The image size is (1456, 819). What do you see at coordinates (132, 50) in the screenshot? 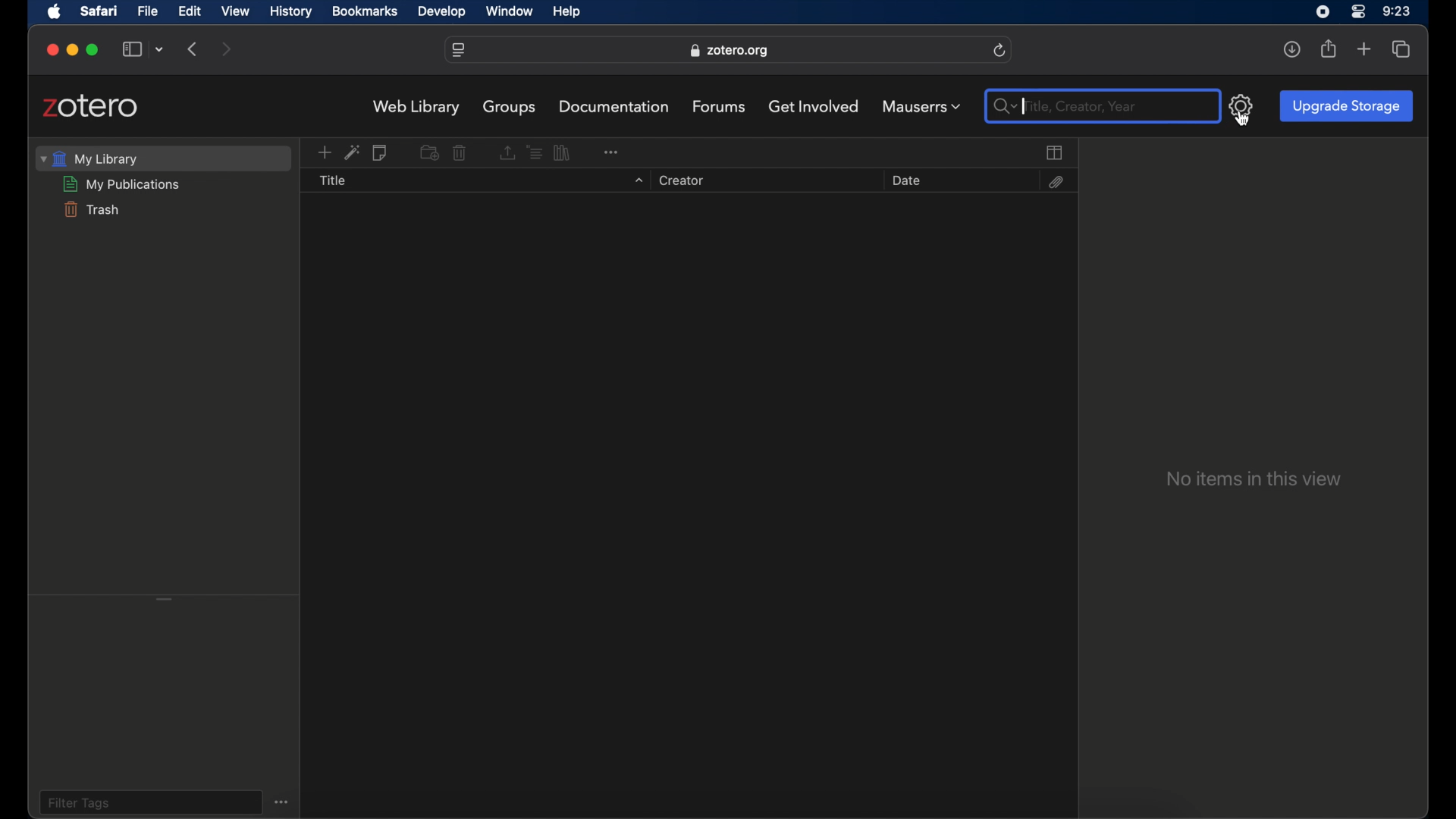
I see `show sidebar` at bounding box center [132, 50].